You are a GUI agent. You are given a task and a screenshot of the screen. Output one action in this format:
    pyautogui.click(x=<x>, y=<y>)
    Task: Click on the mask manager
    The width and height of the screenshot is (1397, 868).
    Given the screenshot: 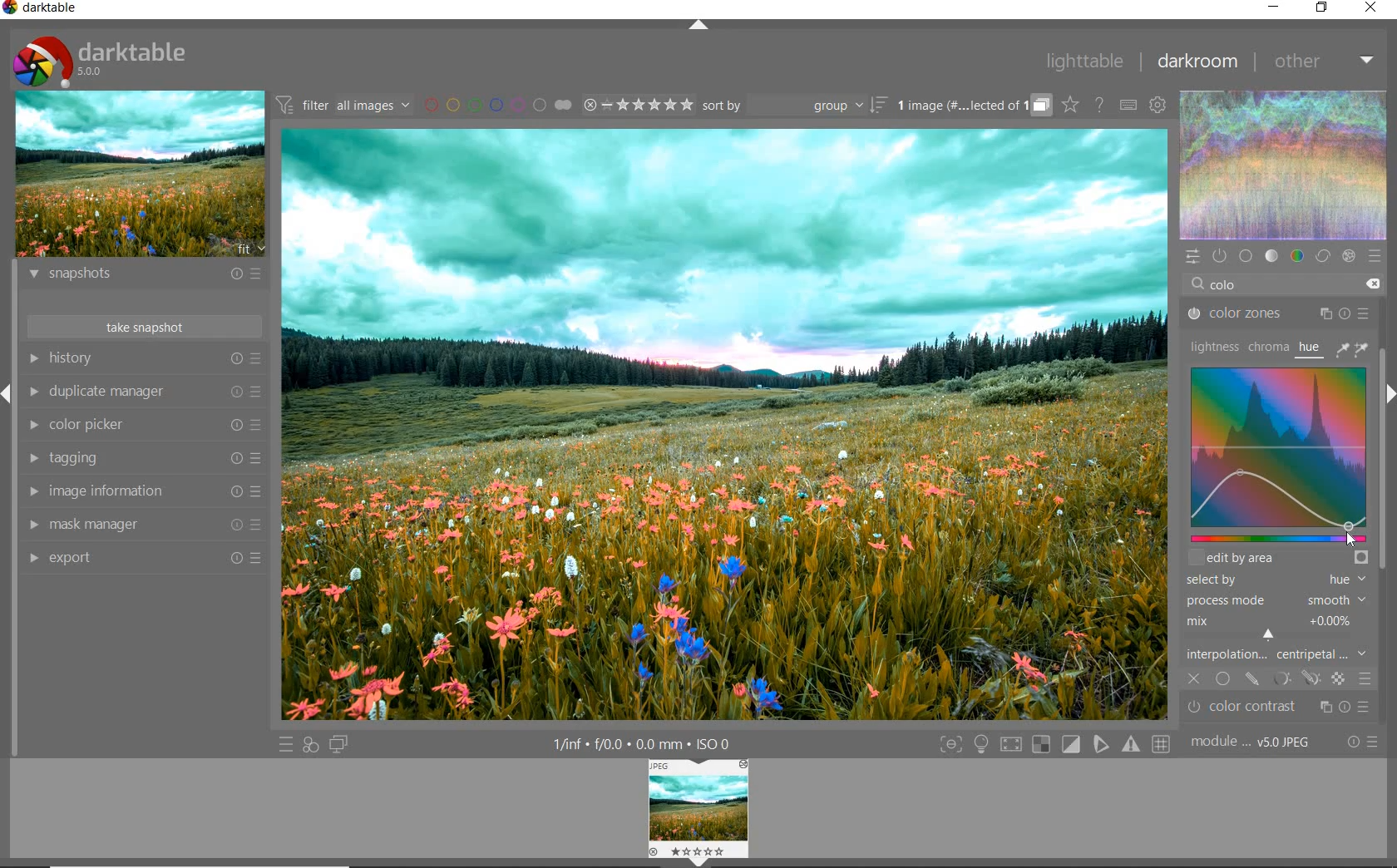 What is the action you would take?
    pyautogui.click(x=143, y=523)
    